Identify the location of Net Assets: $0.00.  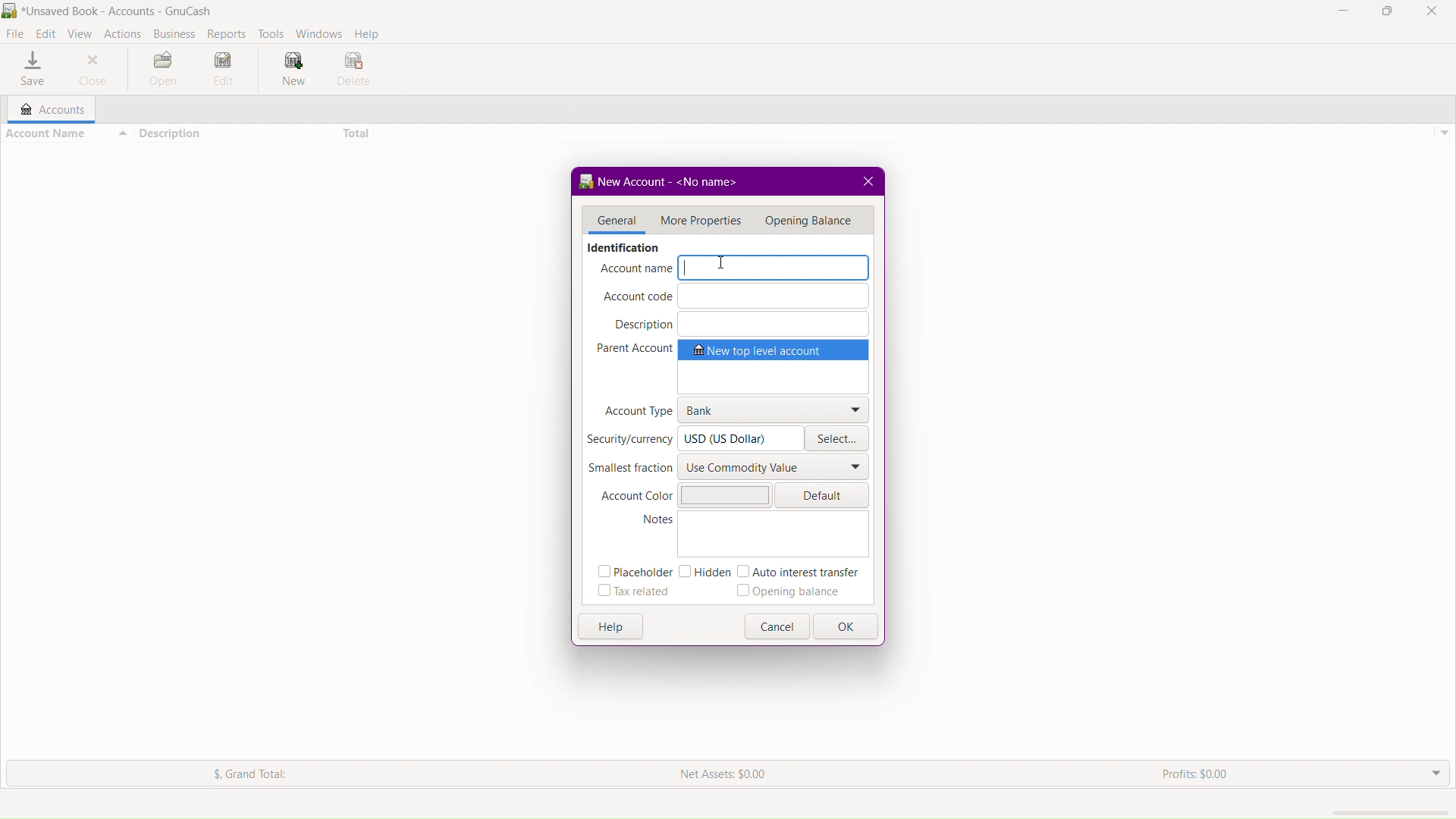
(726, 774).